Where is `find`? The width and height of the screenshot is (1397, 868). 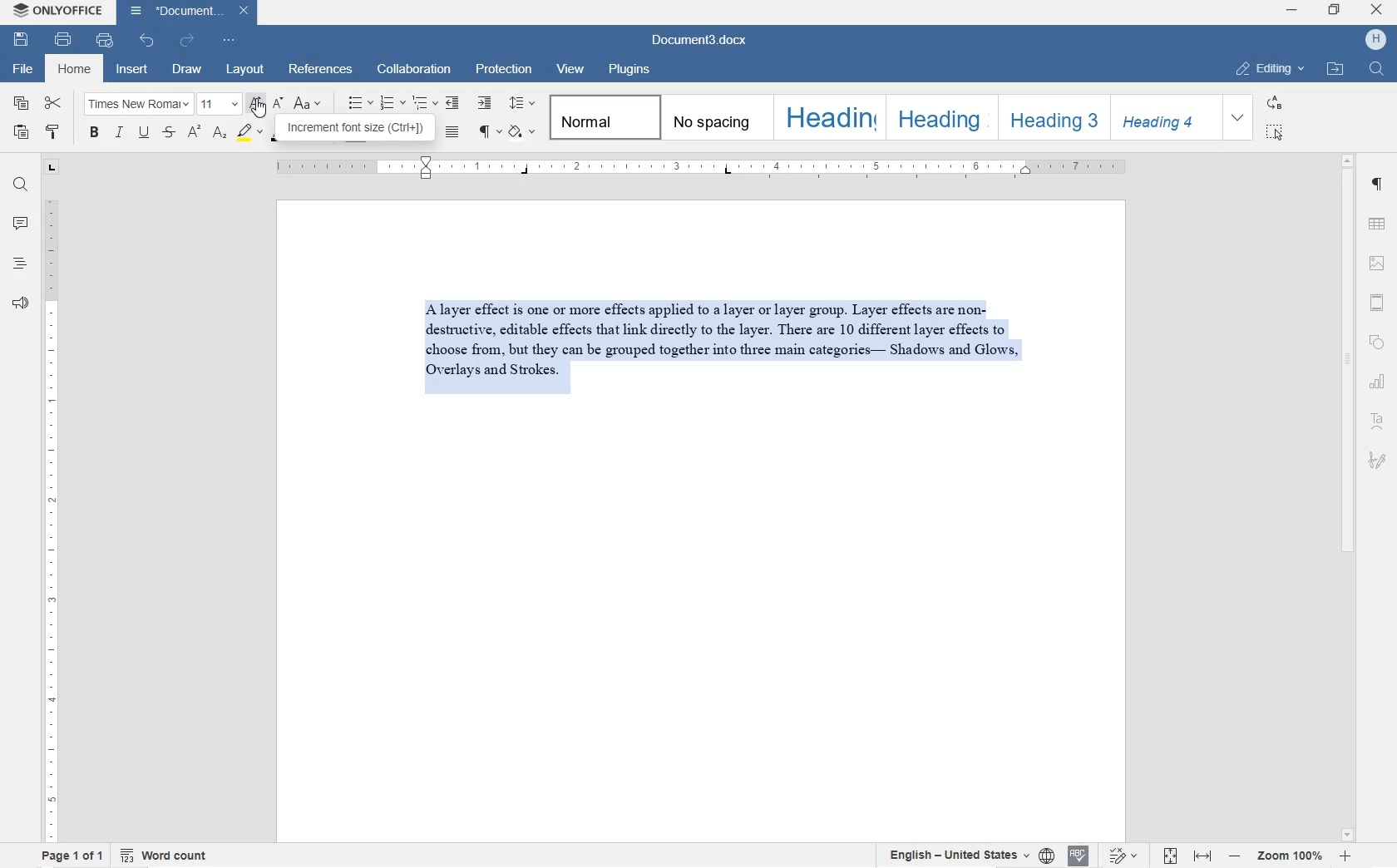 find is located at coordinates (21, 188).